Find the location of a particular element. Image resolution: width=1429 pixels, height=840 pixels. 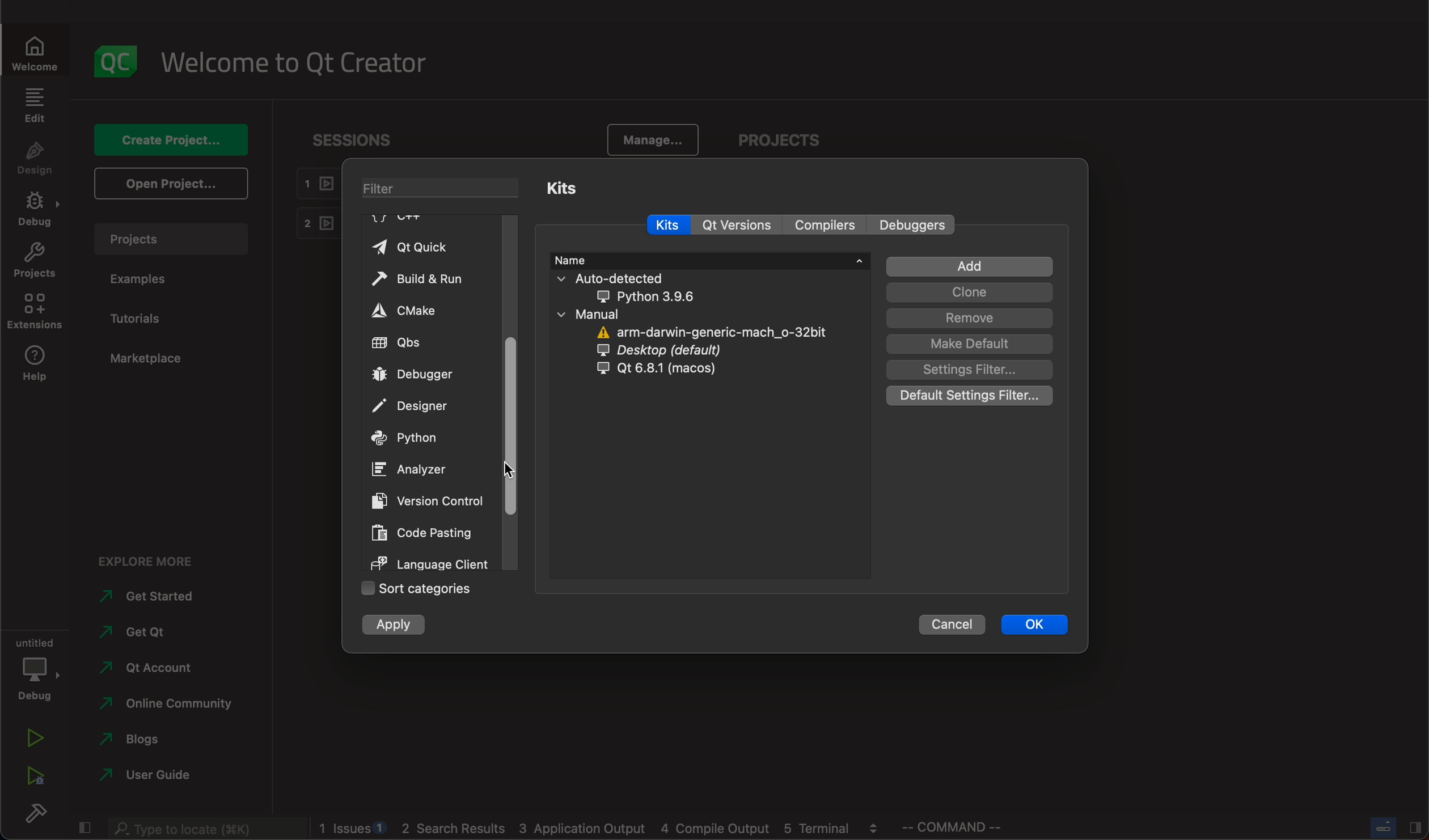

cursor is located at coordinates (515, 468).